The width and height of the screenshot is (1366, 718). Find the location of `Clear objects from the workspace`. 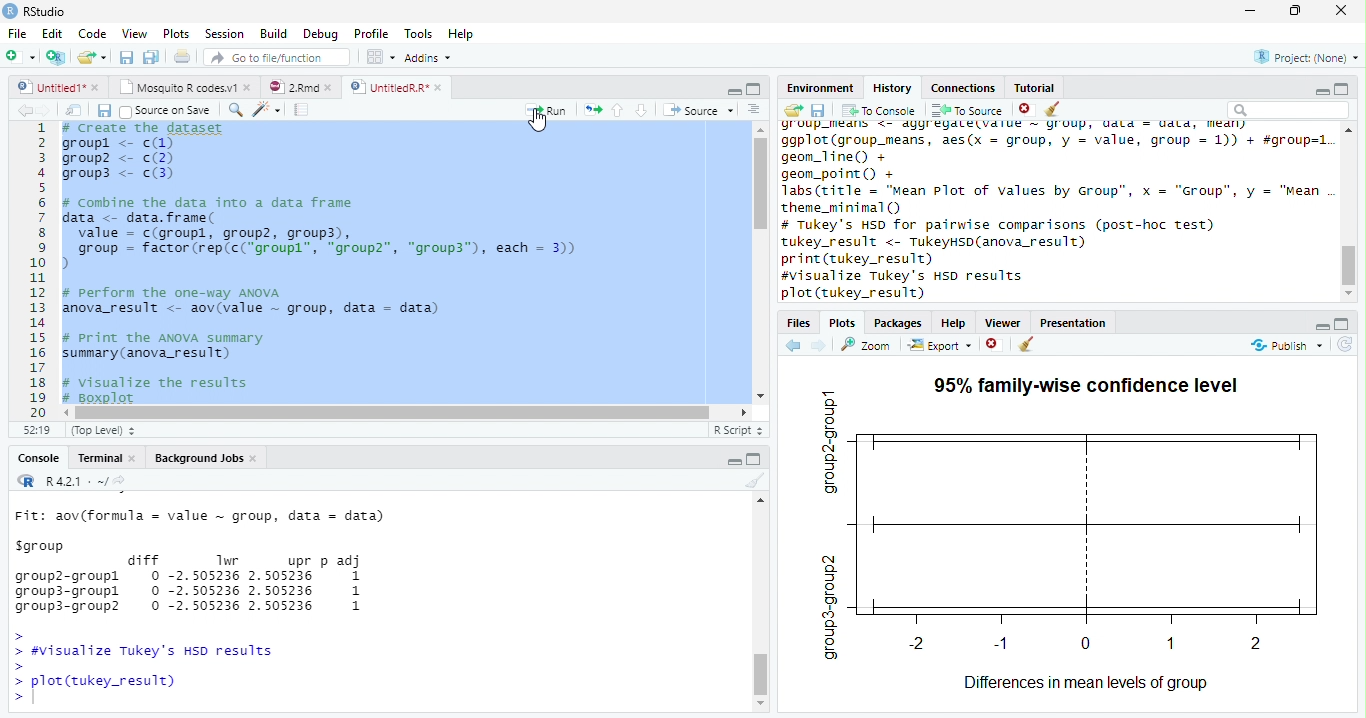

Clear objects from the workspace is located at coordinates (1051, 106).